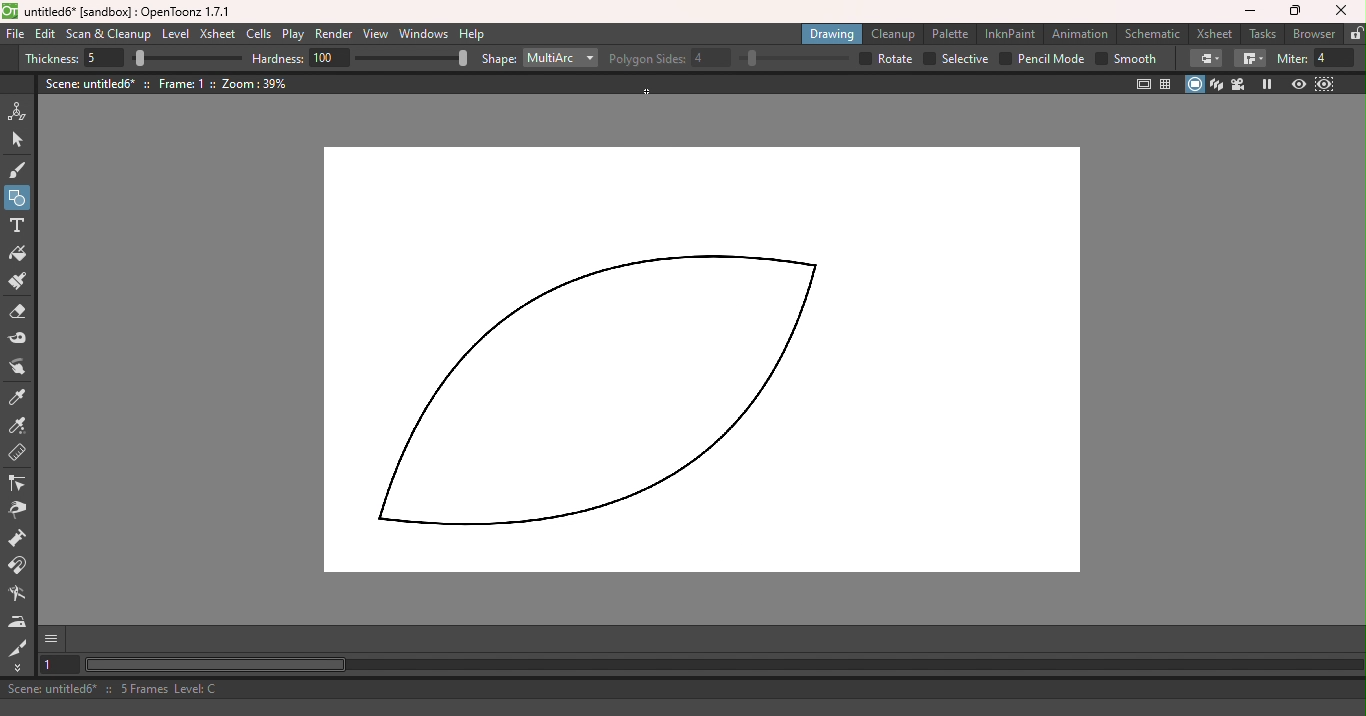 The image size is (1366, 716). What do you see at coordinates (1292, 13) in the screenshot?
I see `Maximize` at bounding box center [1292, 13].